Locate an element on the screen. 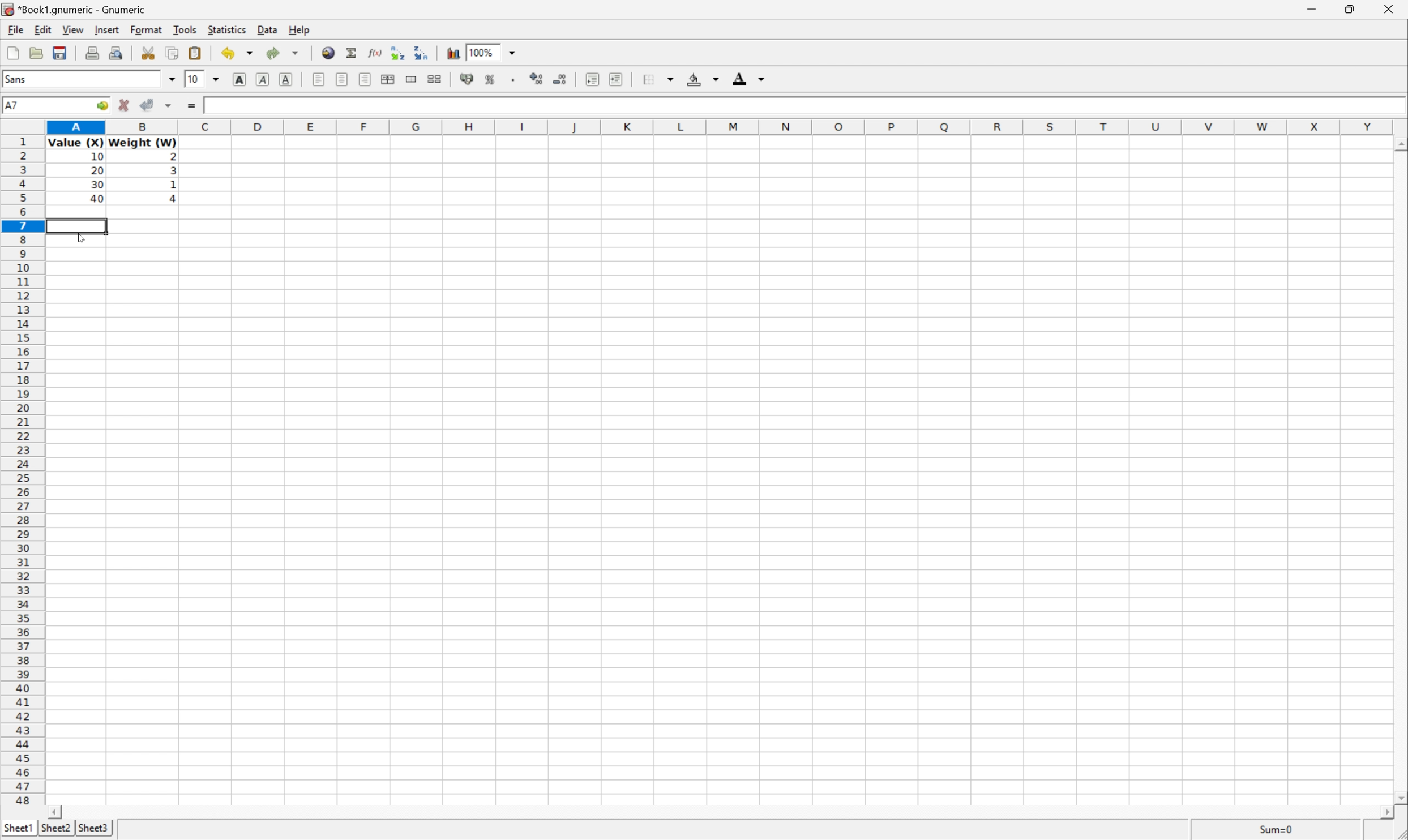 This screenshot has height=840, width=1408. Format selection as accounting is located at coordinates (468, 80).